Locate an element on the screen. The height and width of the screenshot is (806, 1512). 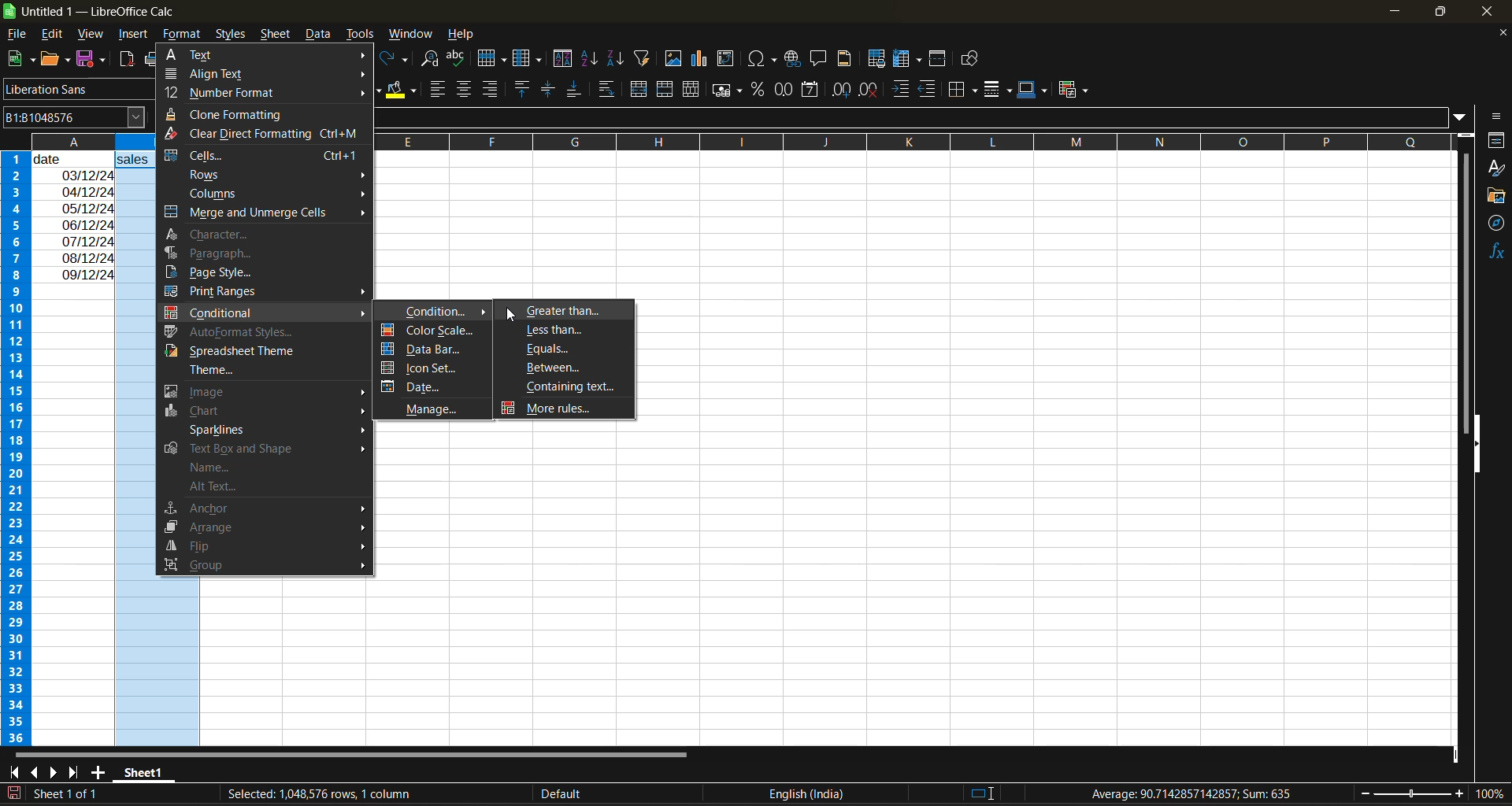
gallery is located at coordinates (1496, 196).